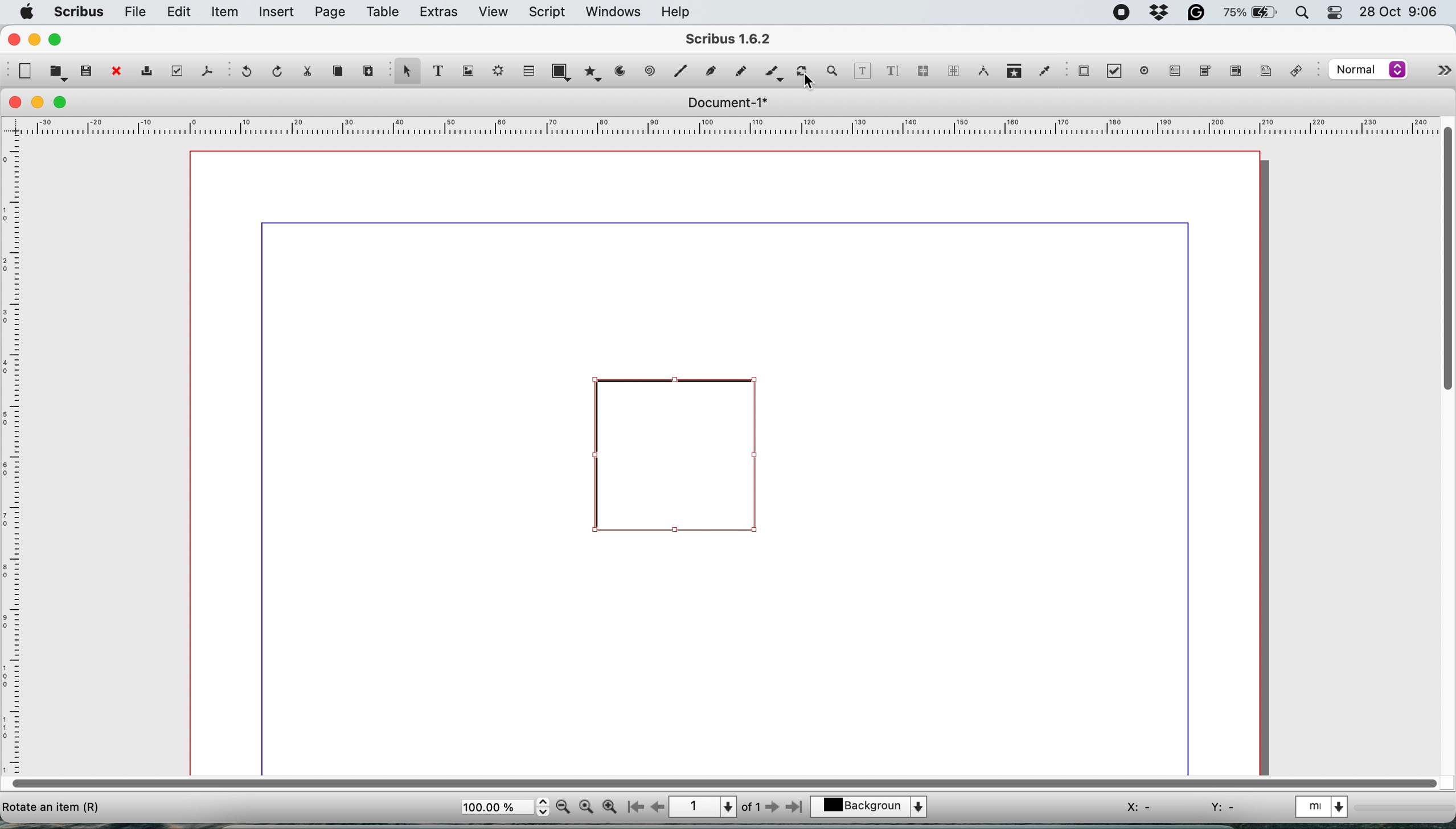 This screenshot has height=829, width=1456. What do you see at coordinates (1368, 71) in the screenshot?
I see `image quality` at bounding box center [1368, 71].